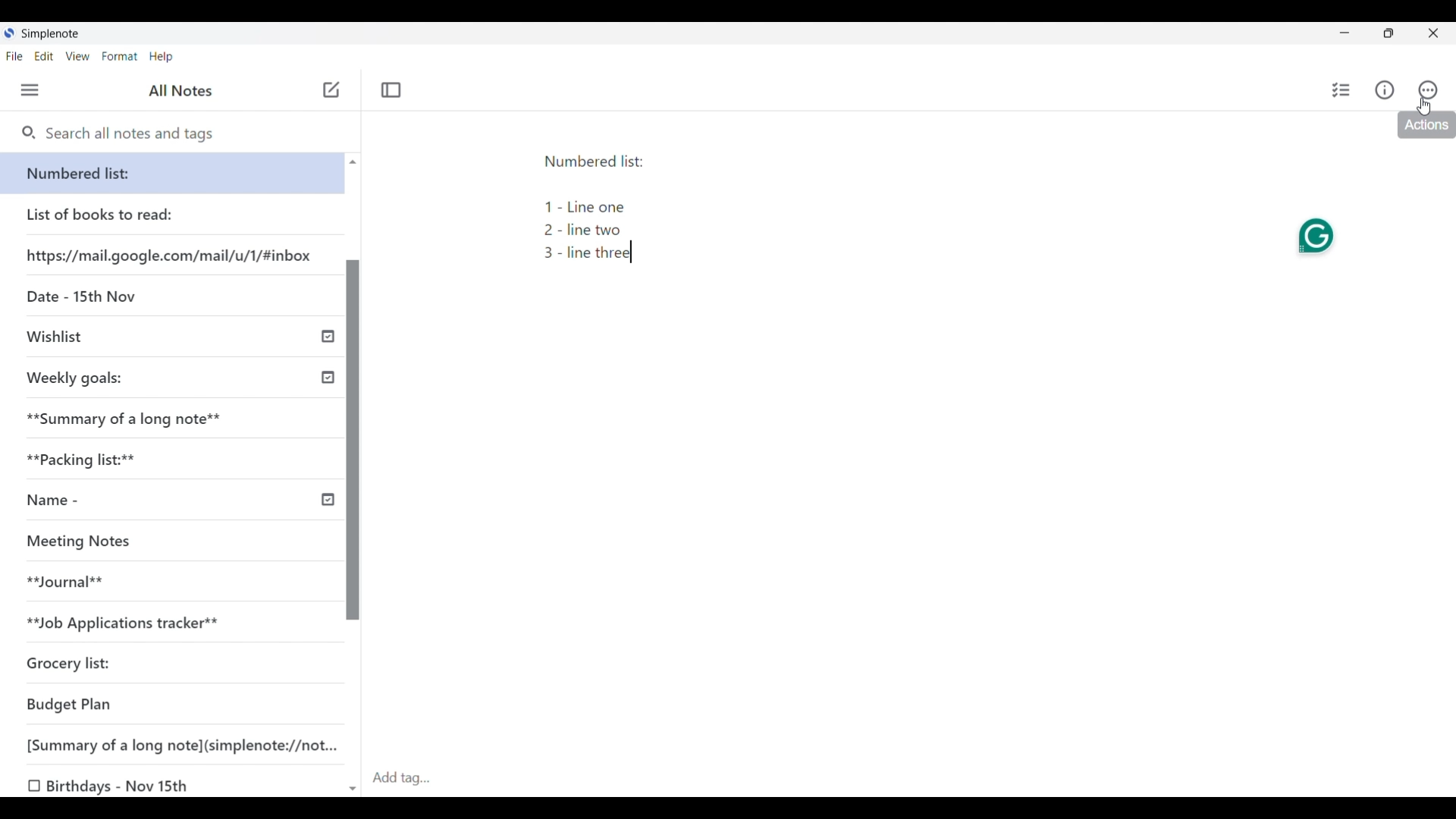 The image size is (1456, 819). Describe the element at coordinates (124, 419) in the screenshot. I see `Summary of a long note**` at that location.